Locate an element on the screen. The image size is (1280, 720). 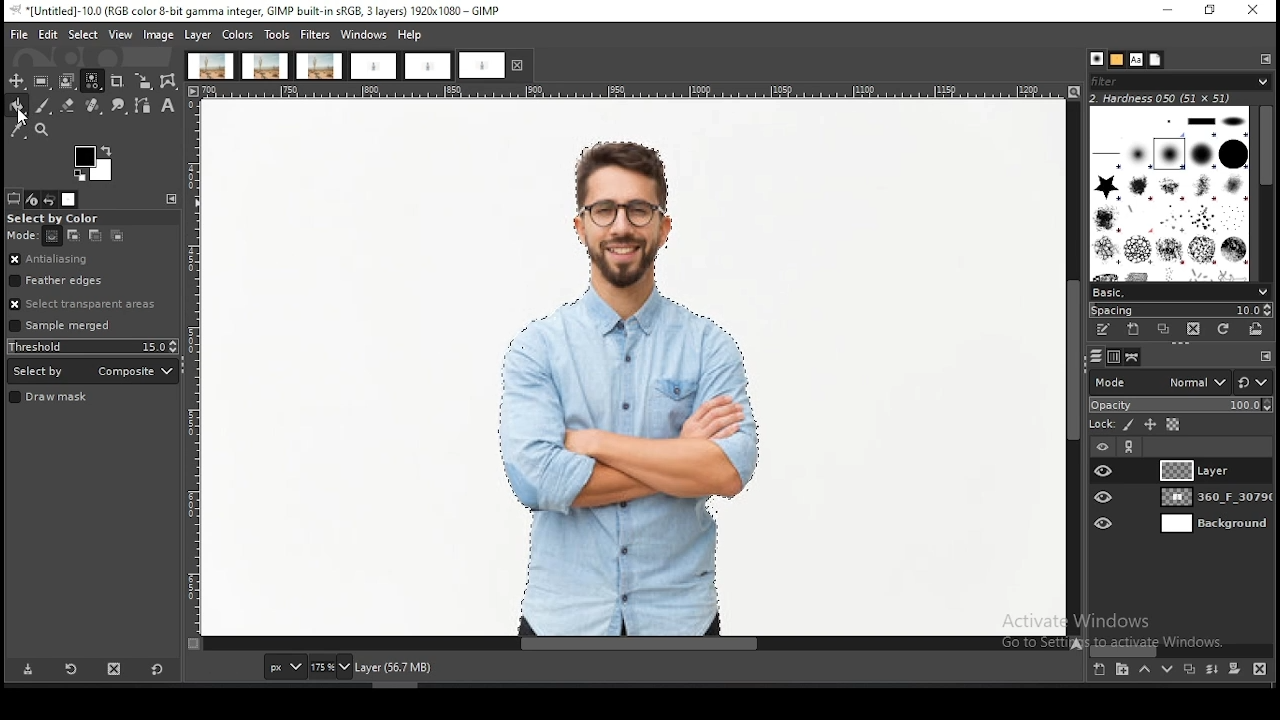
open brush as image is located at coordinates (1255, 329).